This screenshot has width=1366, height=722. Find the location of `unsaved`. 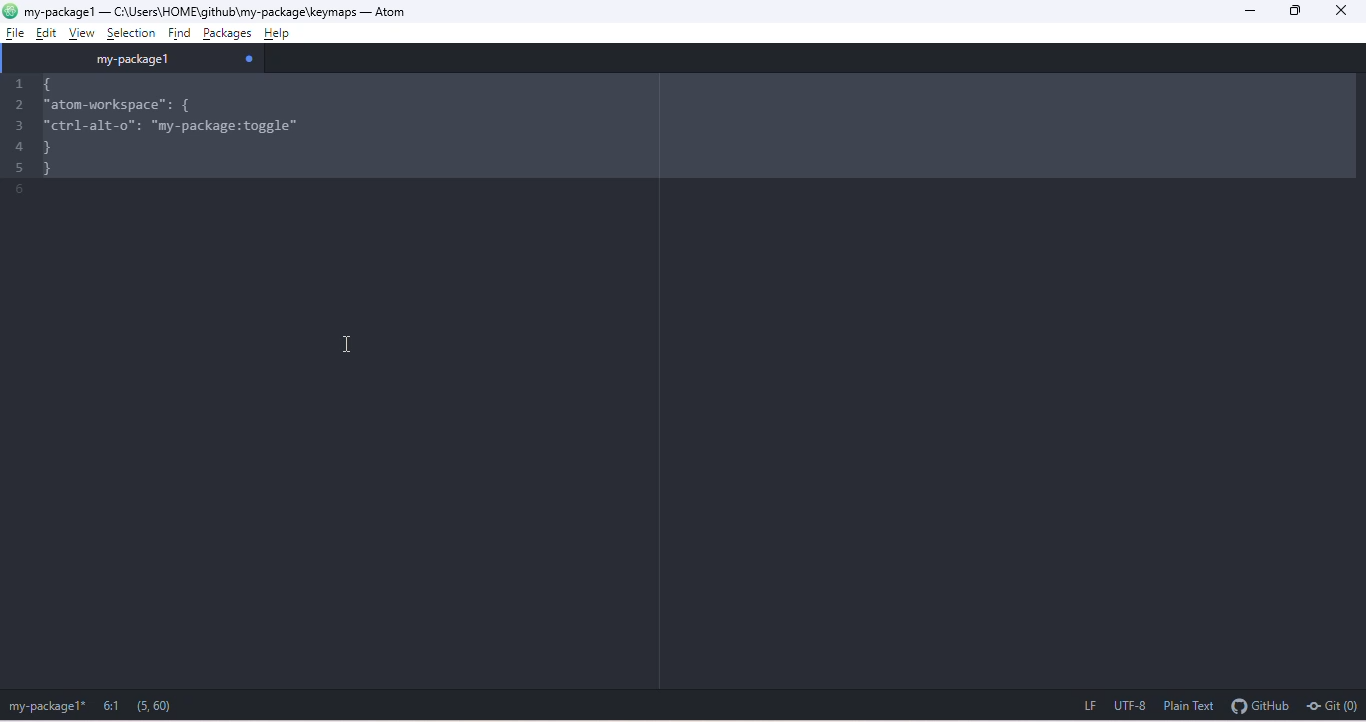

unsaved is located at coordinates (250, 56).